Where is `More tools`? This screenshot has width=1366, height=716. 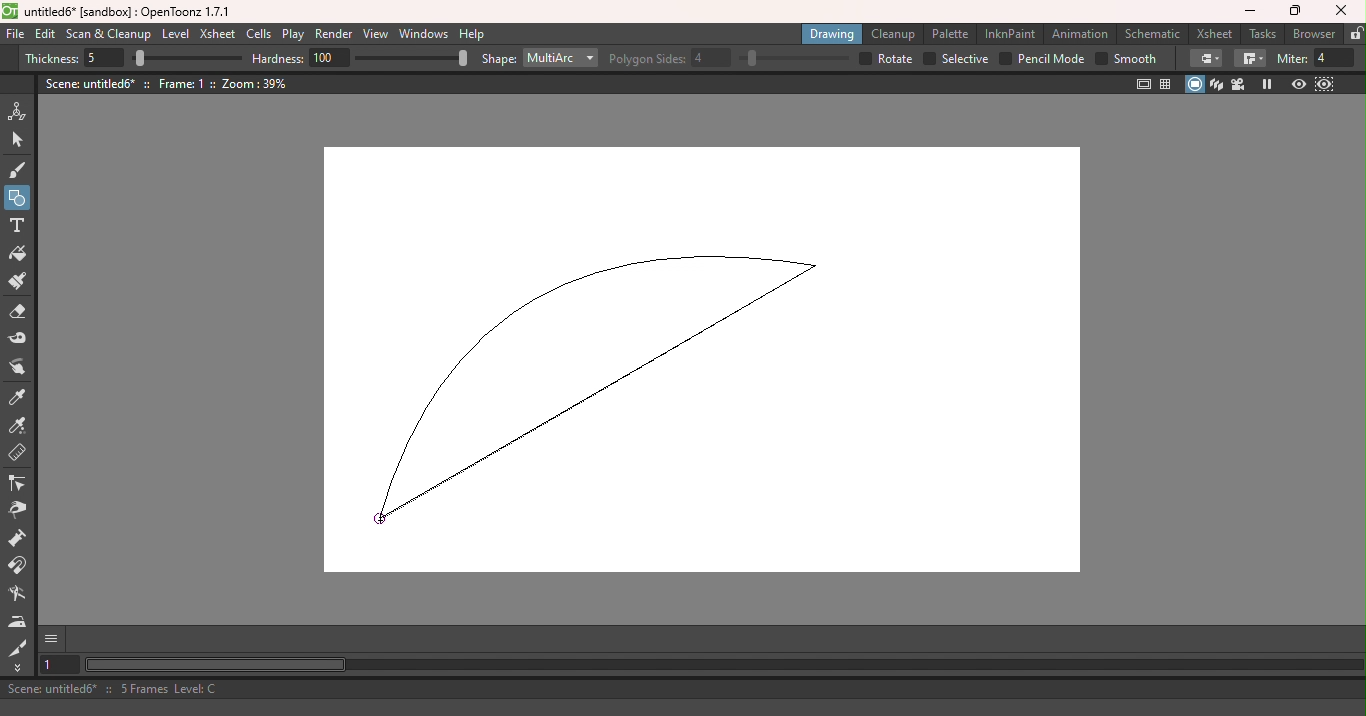 More tools is located at coordinates (18, 667).